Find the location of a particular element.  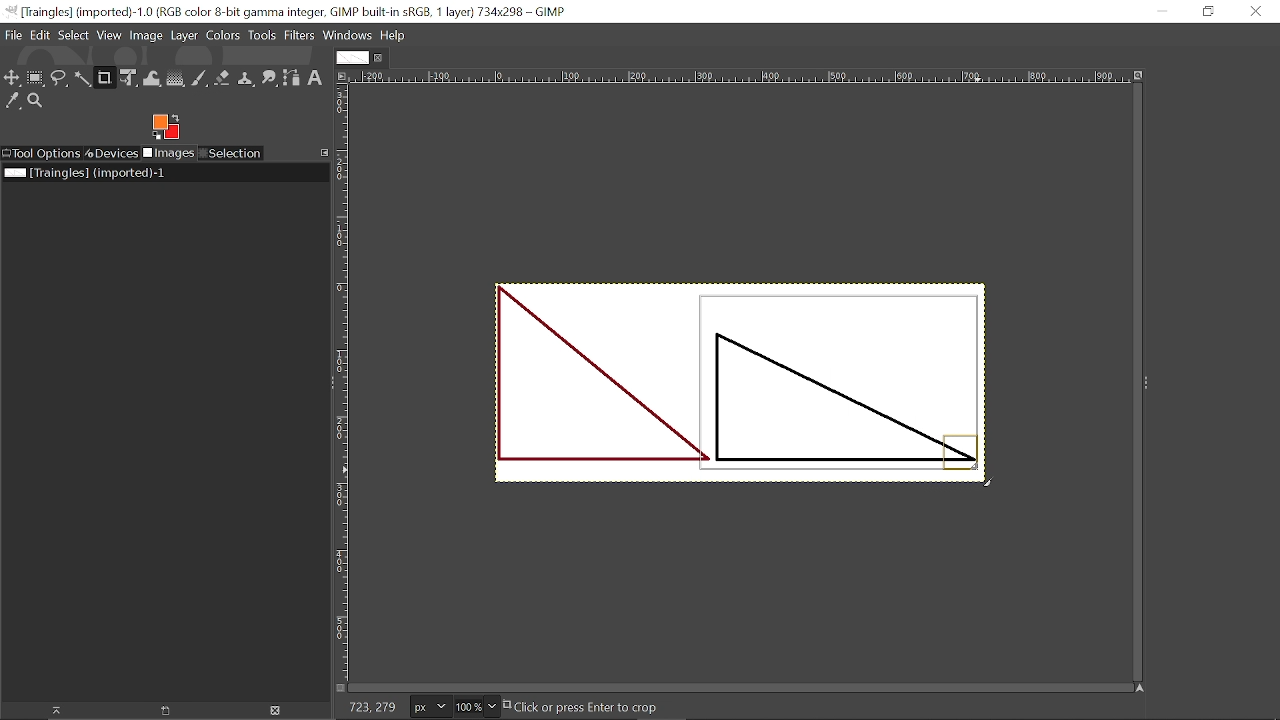

Access the image menu is located at coordinates (343, 77).